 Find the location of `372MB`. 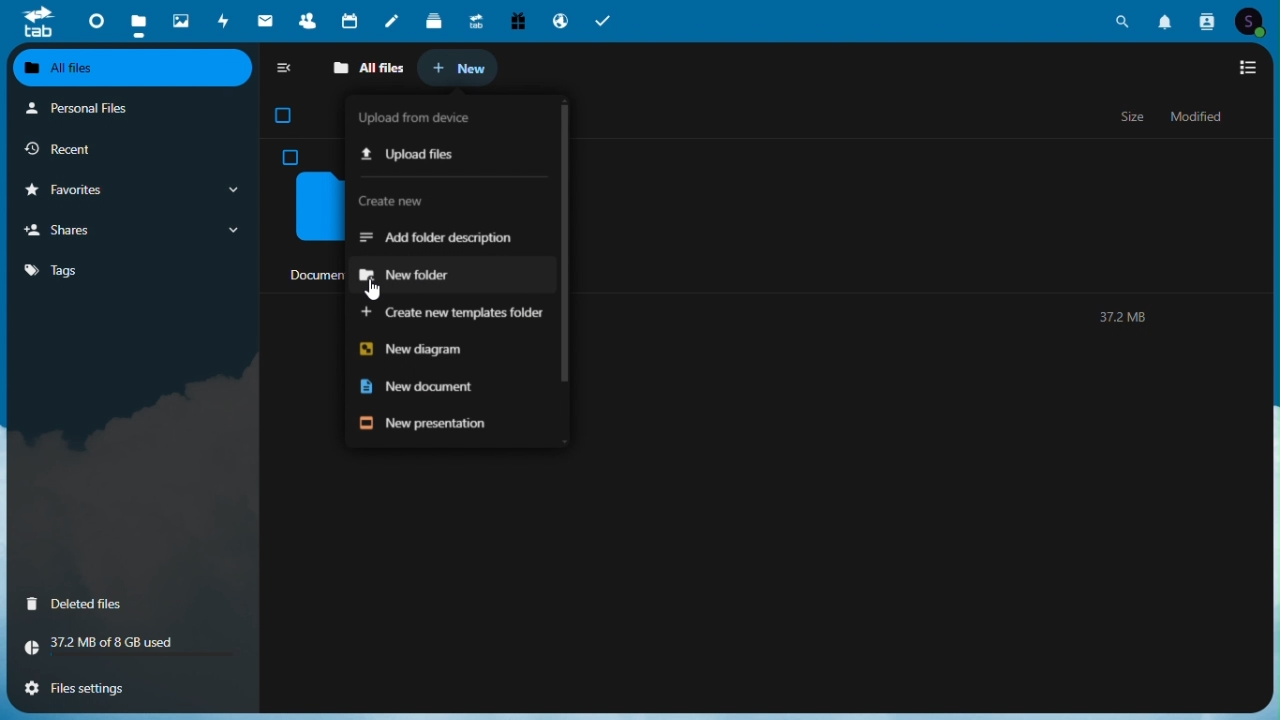

372MB is located at coordinates (1120, 315).